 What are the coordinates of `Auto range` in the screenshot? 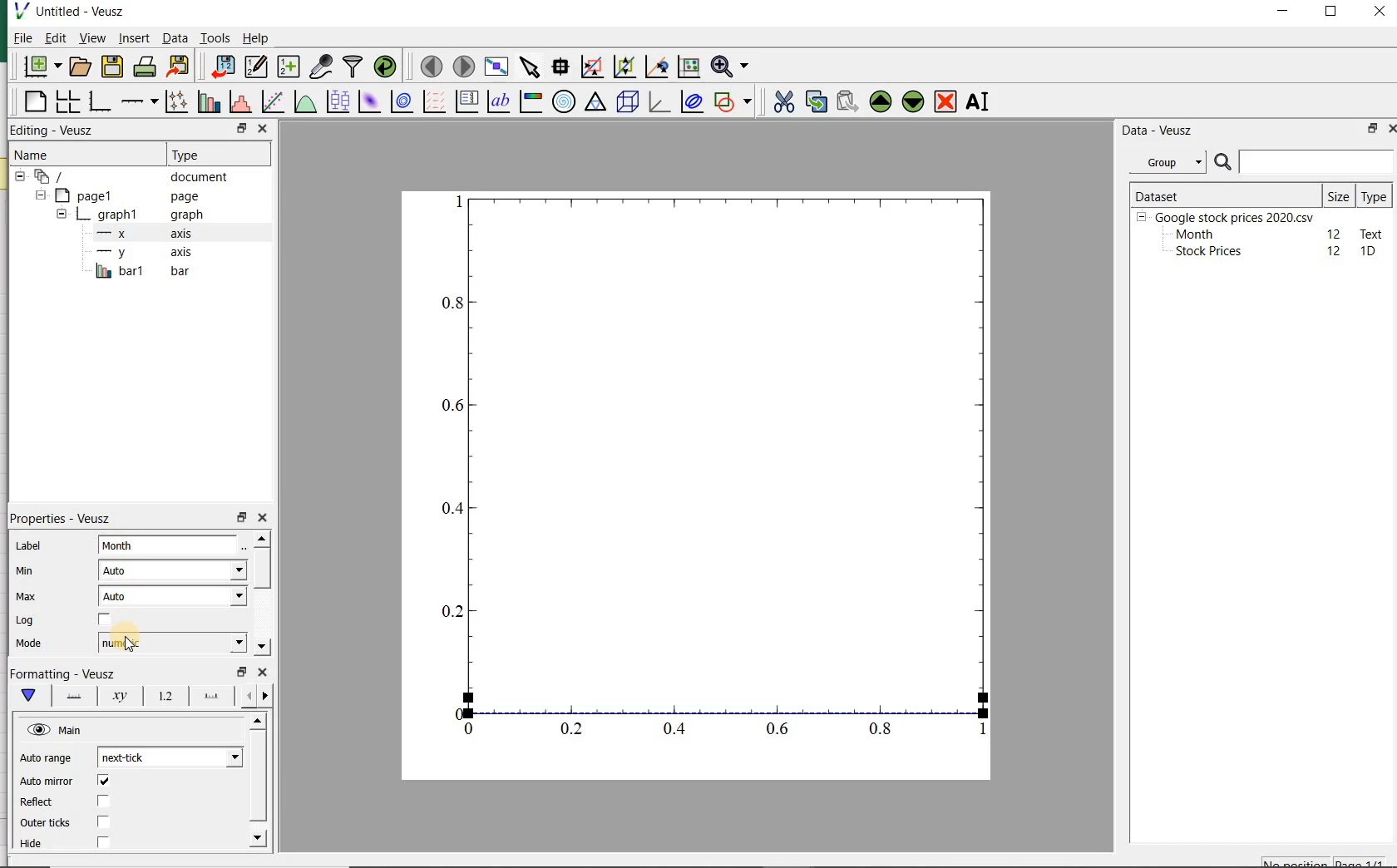 It's located at (46, 759).